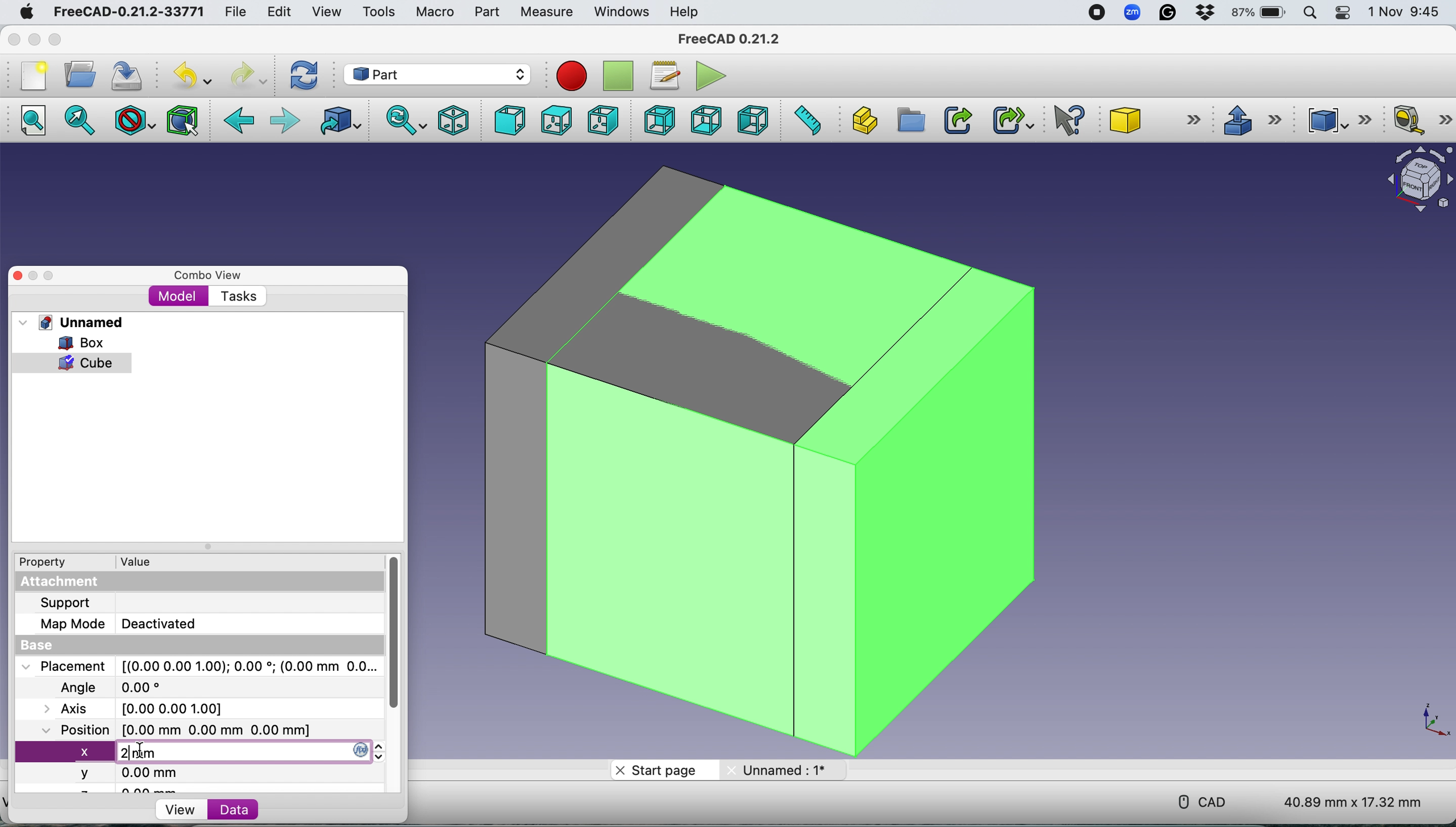 The width and height of the screenshot is (1456, 827). Describe the element at coordinates (806, 119) in the screenshot. I see `Measure distance` at that location.